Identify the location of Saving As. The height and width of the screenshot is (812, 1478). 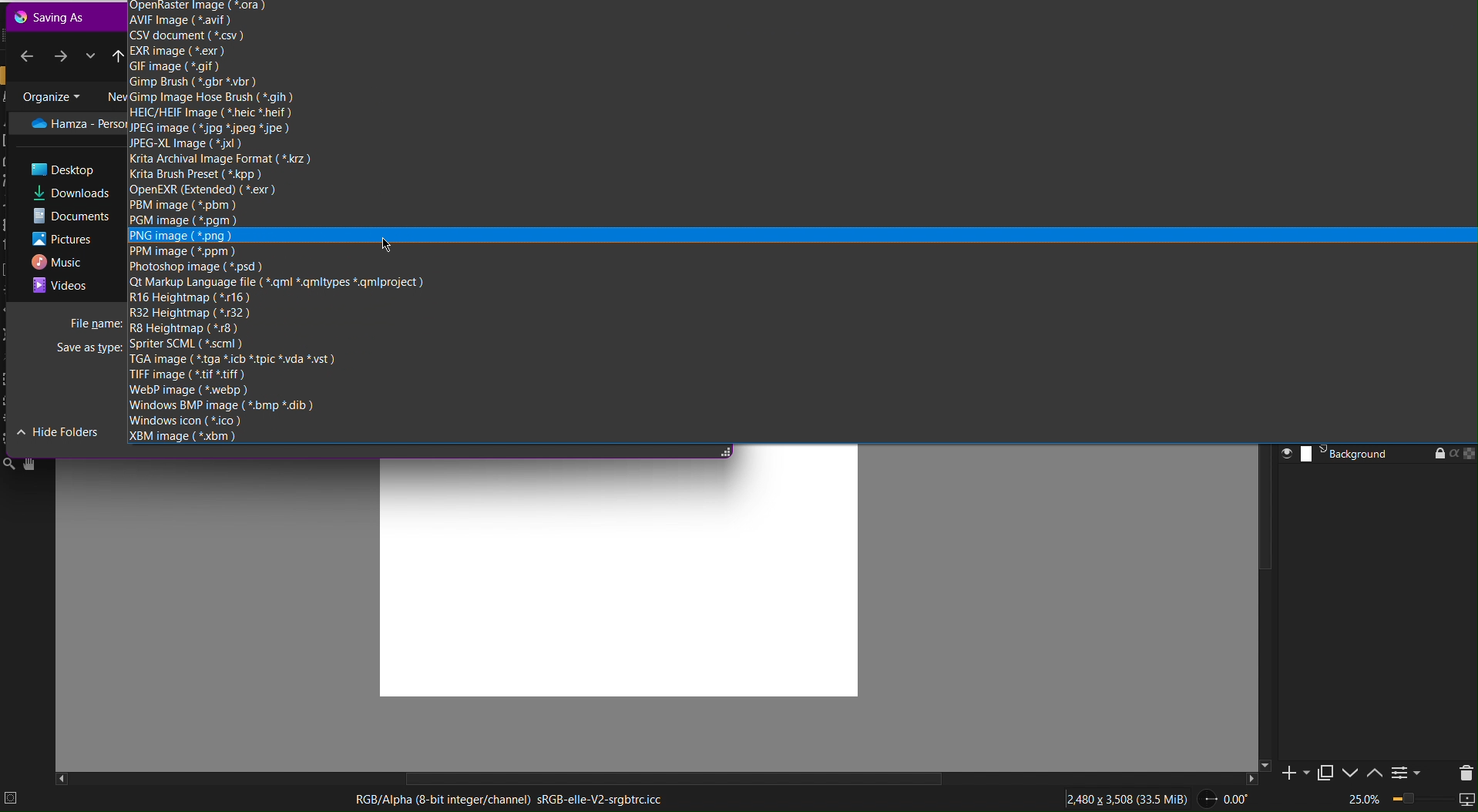
(53, 16).